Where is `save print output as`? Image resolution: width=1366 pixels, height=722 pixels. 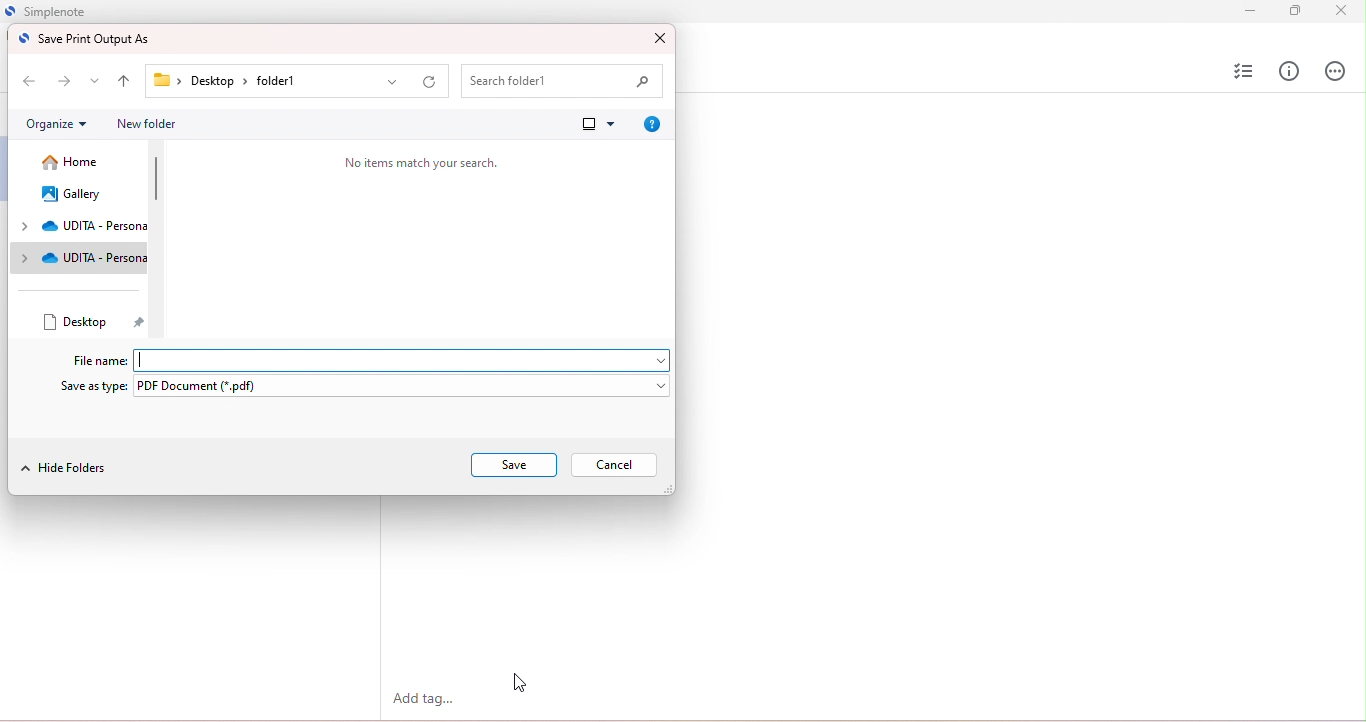 save print output as is located at coordinates (86, 39).